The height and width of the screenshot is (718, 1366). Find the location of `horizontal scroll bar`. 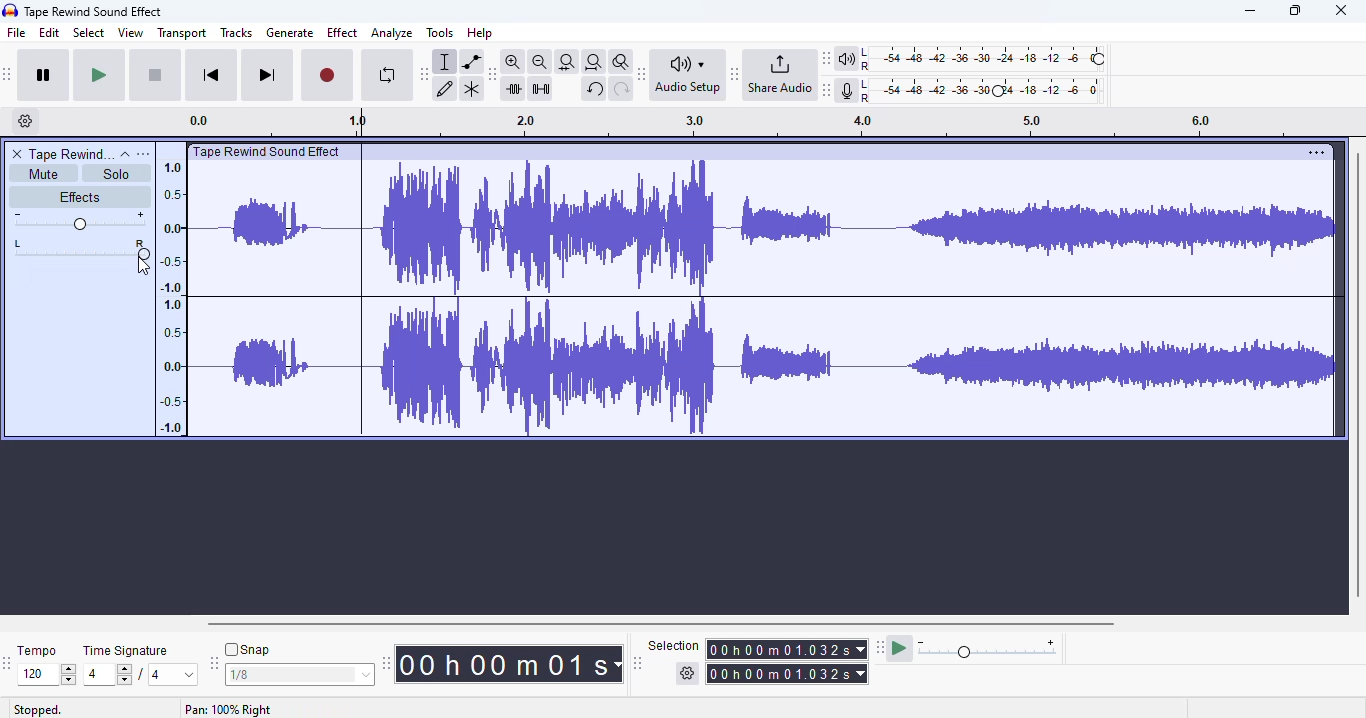

horizontal scroll bar is located at coordinates (663, 624).